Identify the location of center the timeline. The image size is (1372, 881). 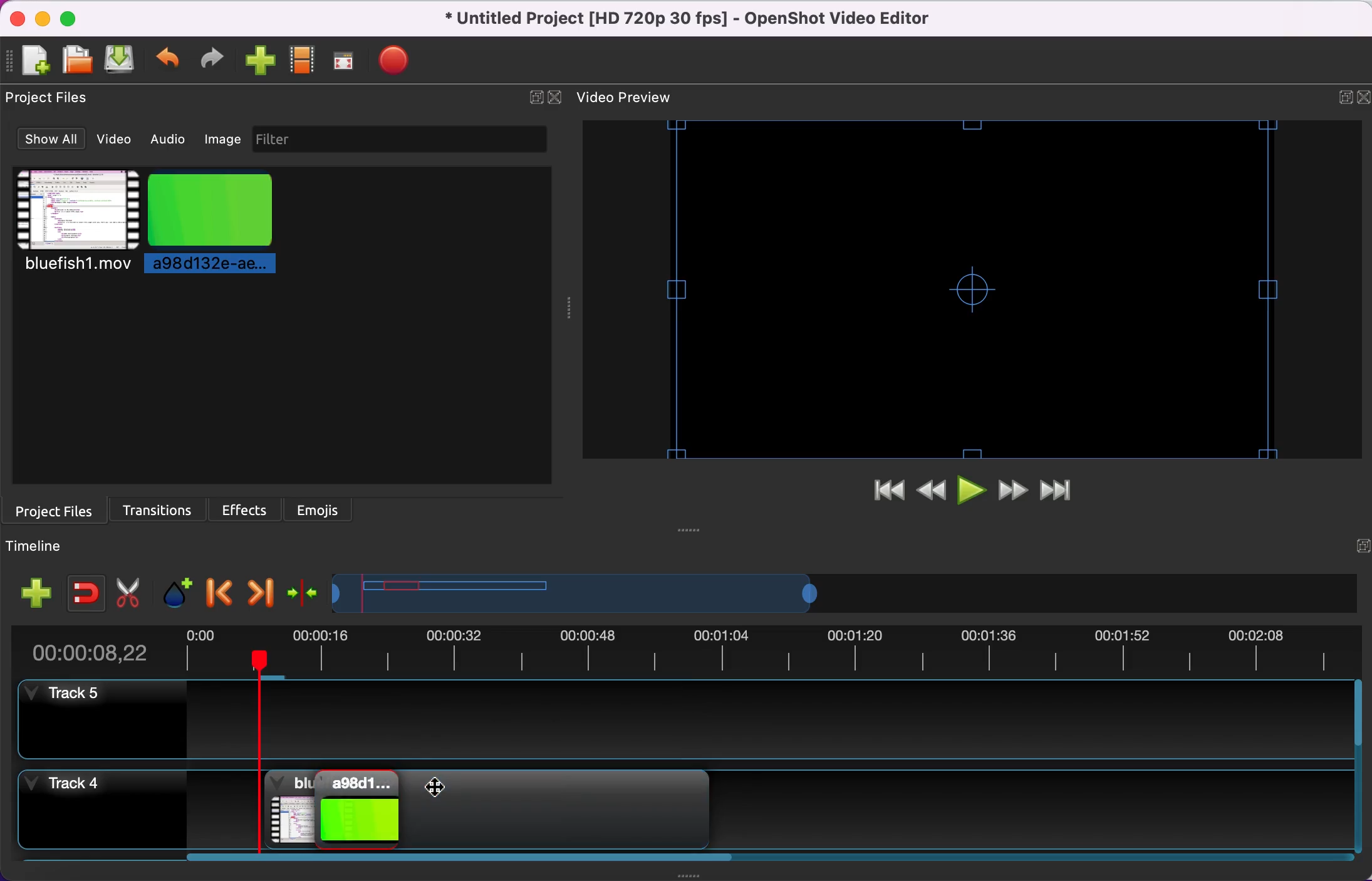
(304, 592).